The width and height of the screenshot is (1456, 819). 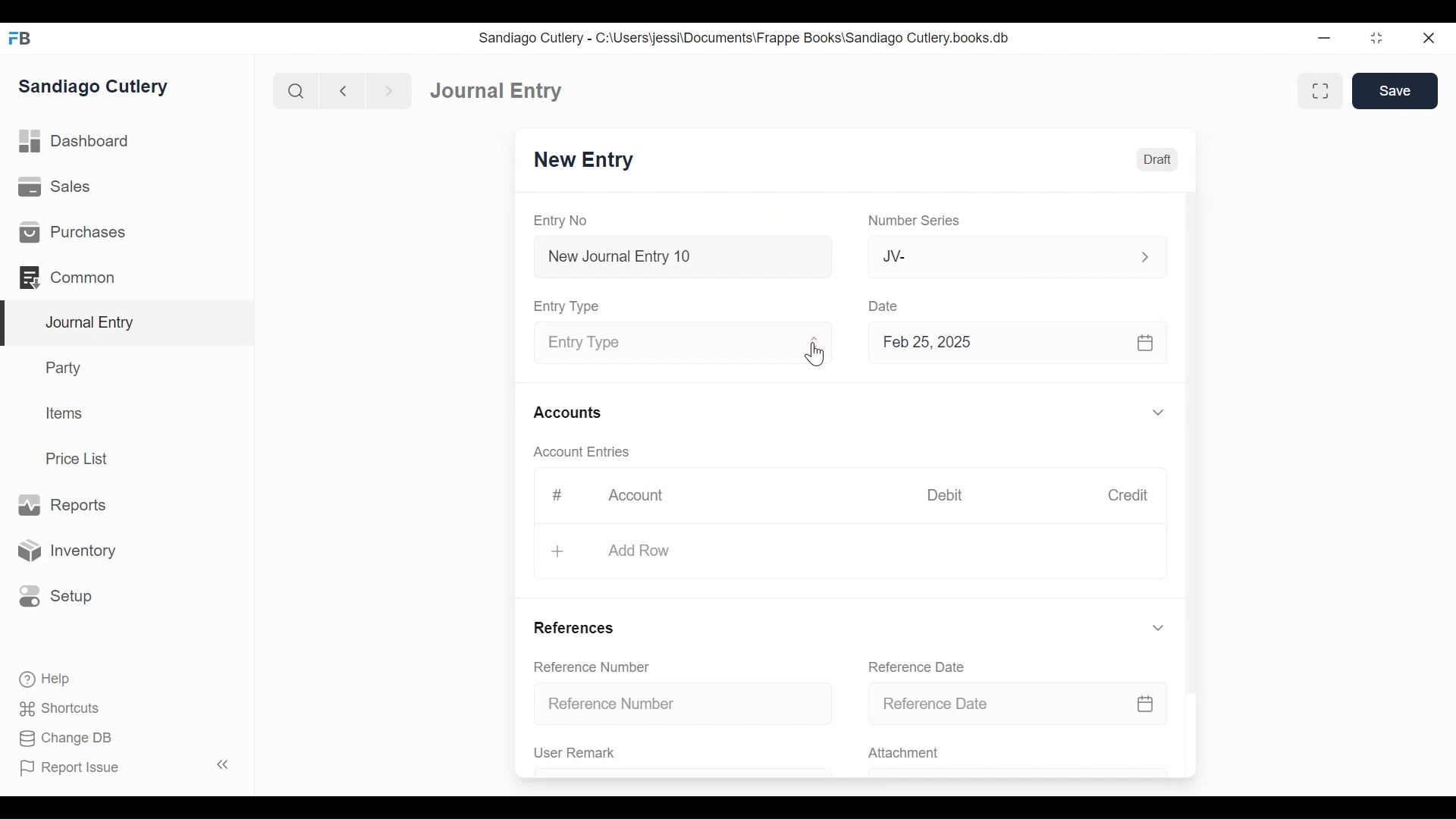 I want to click on Minimize, so click(x=1326, y=39).